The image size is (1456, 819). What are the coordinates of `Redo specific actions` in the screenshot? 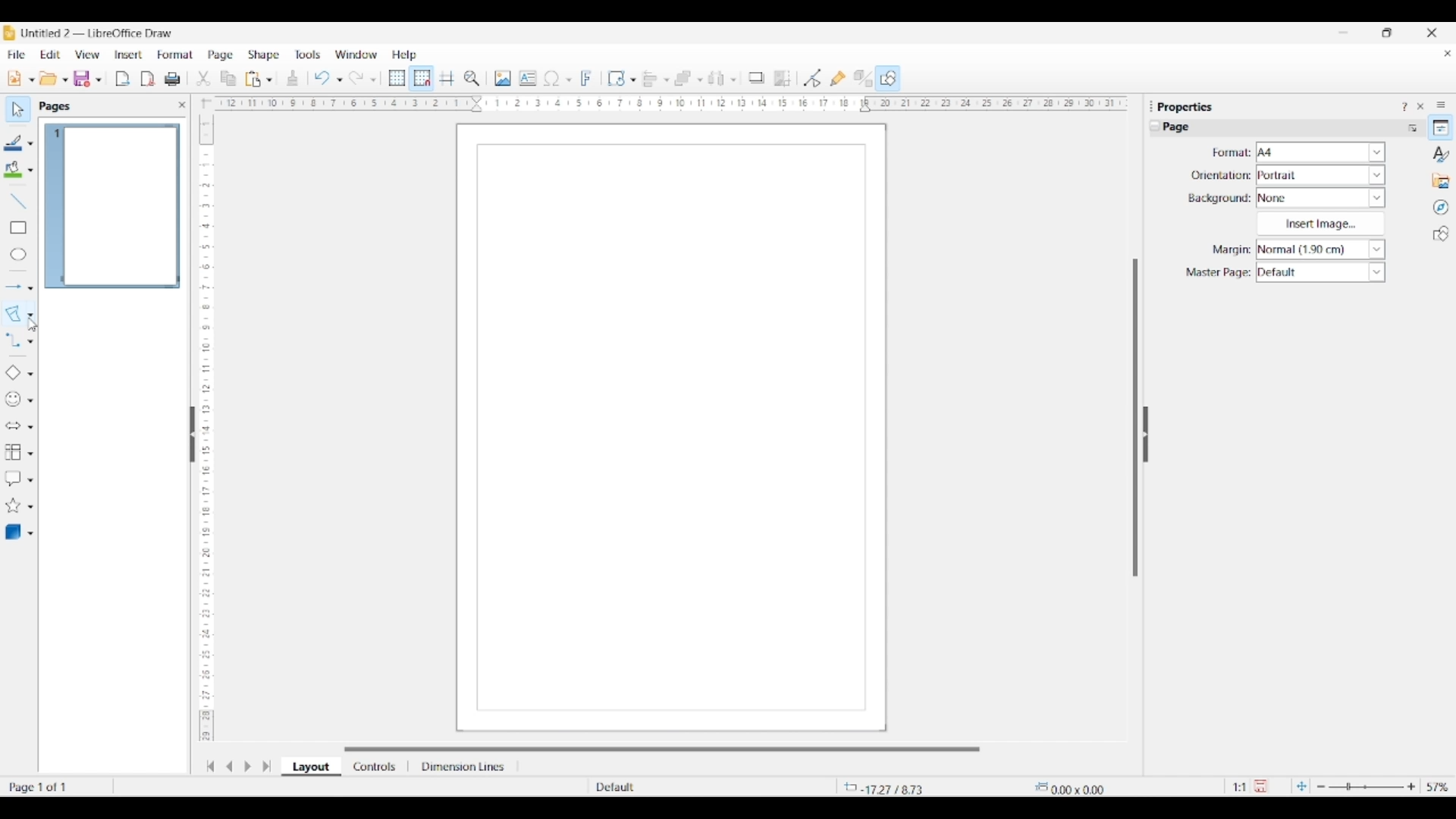 It's located at (373, 80).